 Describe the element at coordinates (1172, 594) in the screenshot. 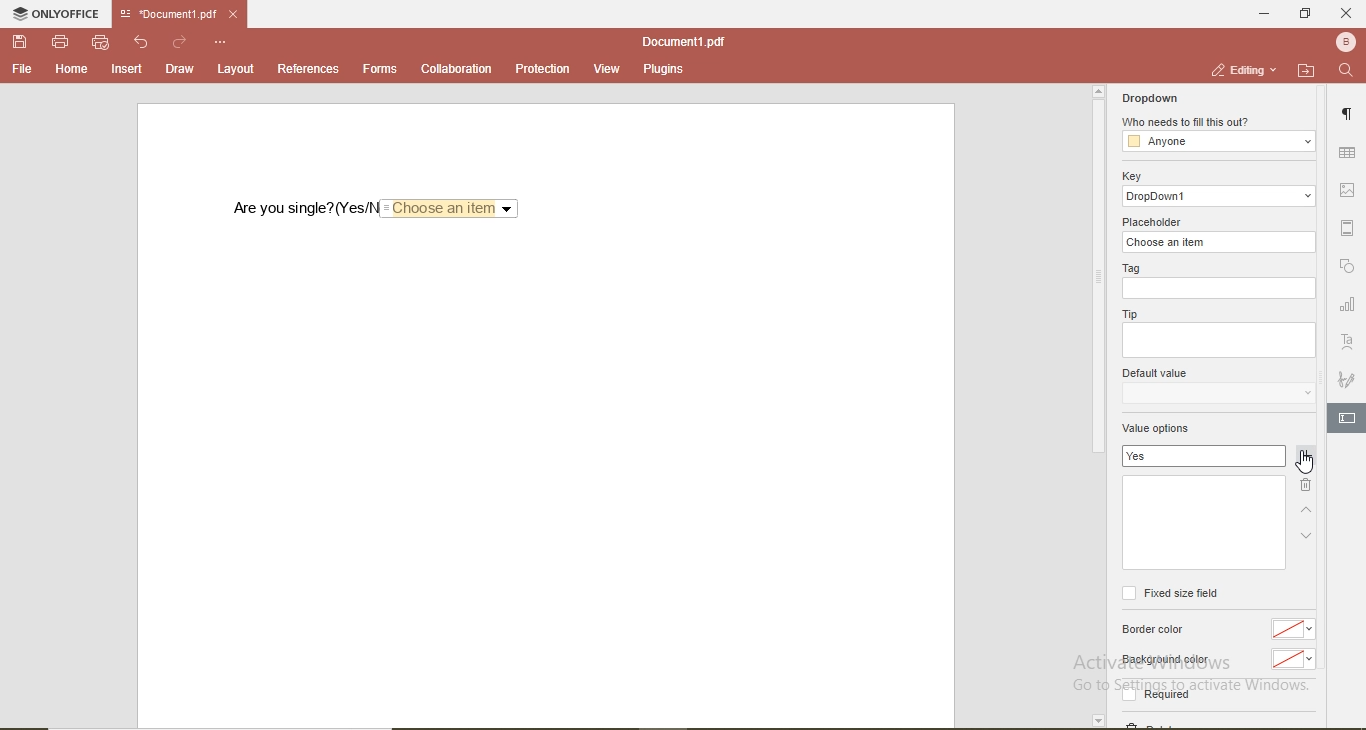

I see `fixed size field` at that location.